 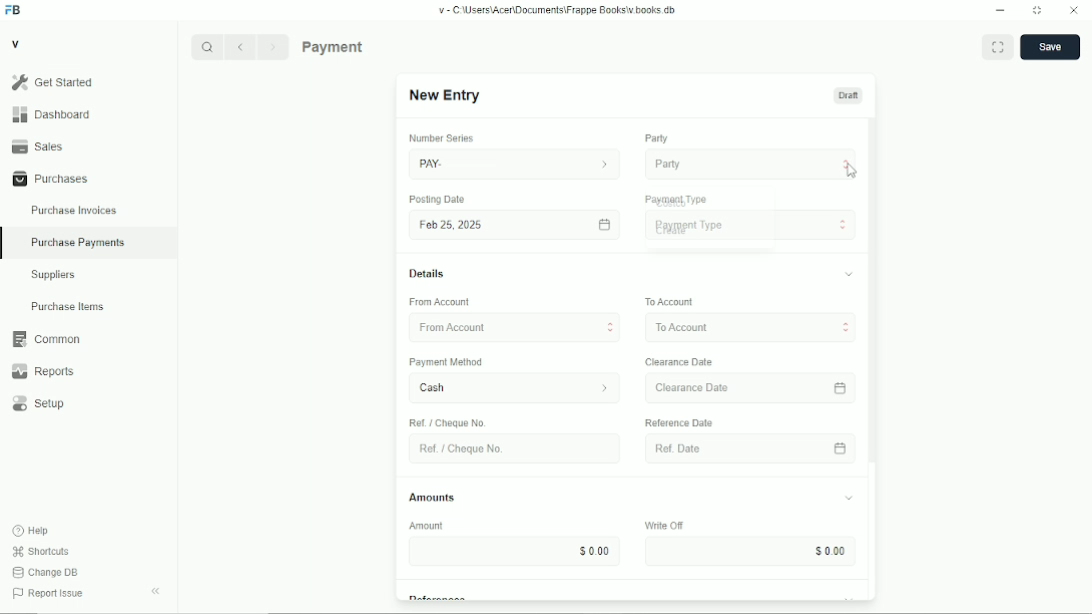 What do you see at coordinates (41, 552) in the screenshot?
I see `Shortcuts` at bounding box center [41, 552].